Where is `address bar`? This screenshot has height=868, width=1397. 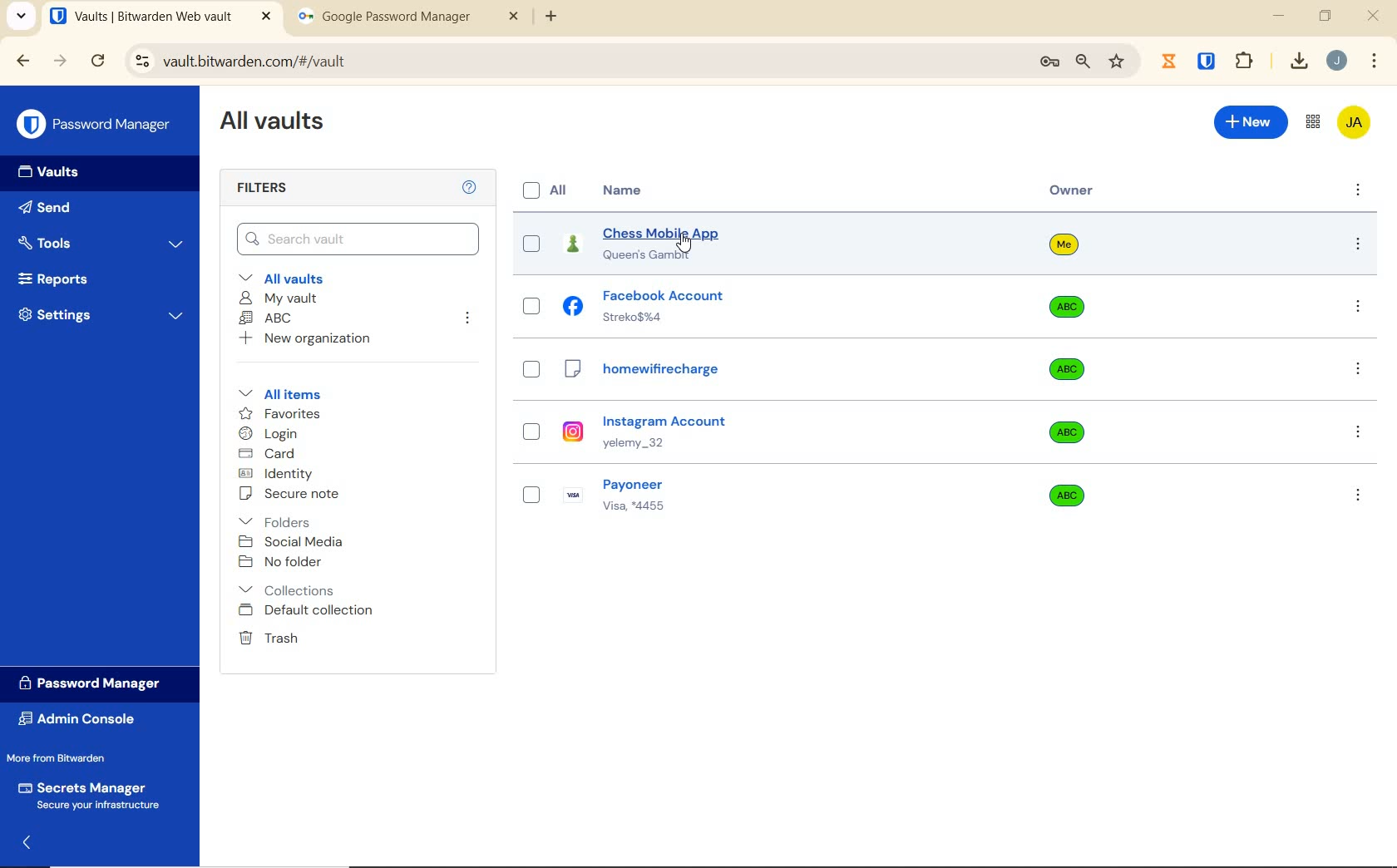
address bar is located at coordinates (570, 64).